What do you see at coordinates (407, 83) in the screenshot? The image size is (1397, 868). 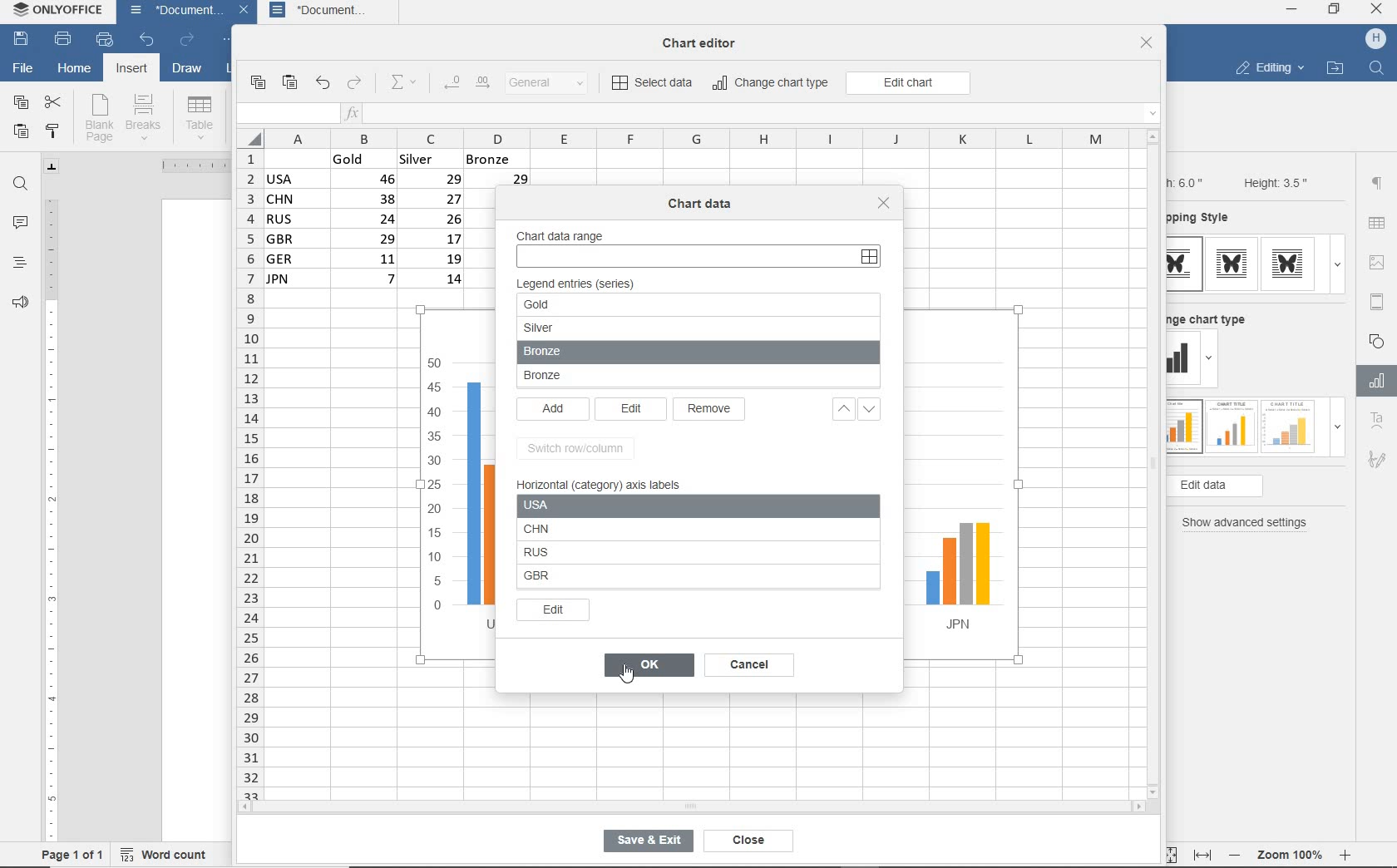 I see `summation` at bounding box center [407, 83].